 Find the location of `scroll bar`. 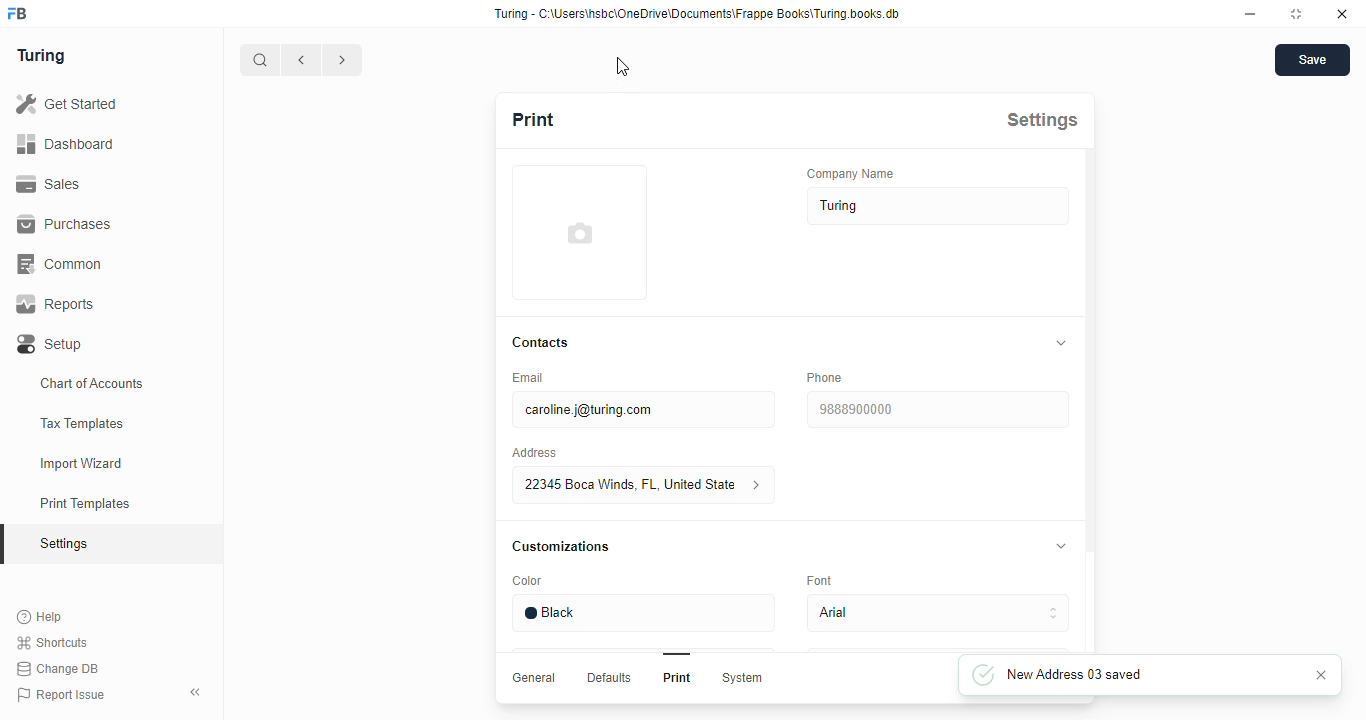

scroll bar is located at coordinates (1091, 402).